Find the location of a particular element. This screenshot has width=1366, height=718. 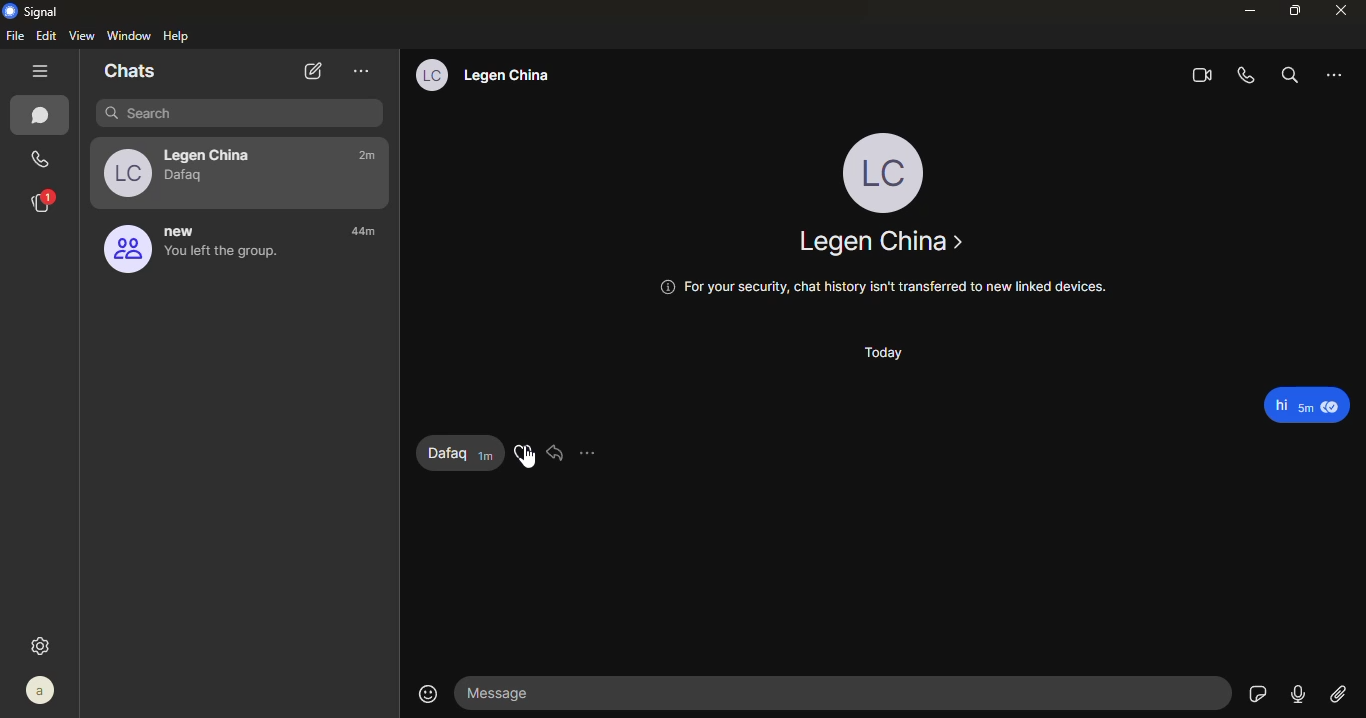

new is located at coordinates (185, 231).